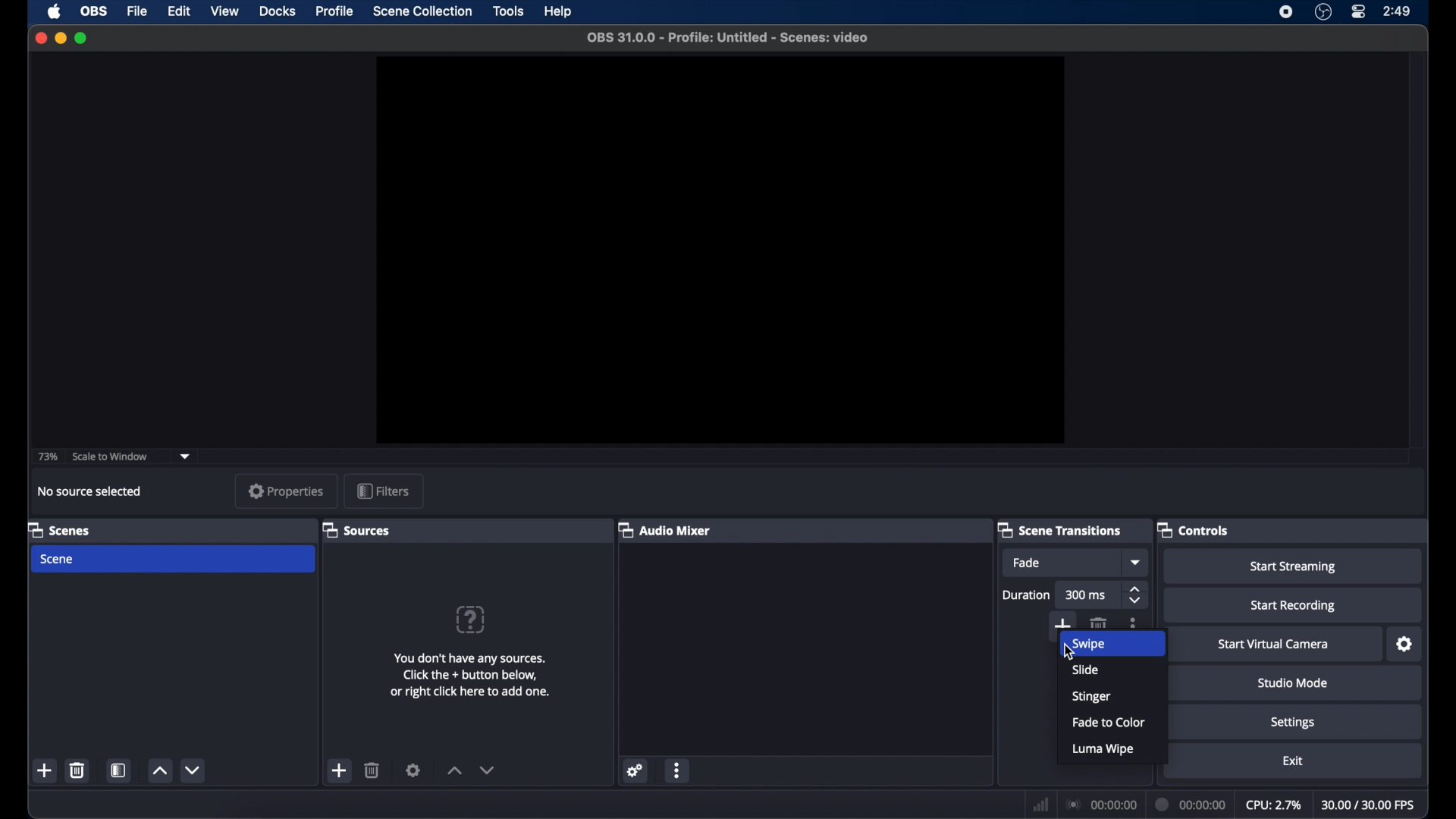 This screenshot has height=819, width=1456. I want to click on filters, so click(384, 491).